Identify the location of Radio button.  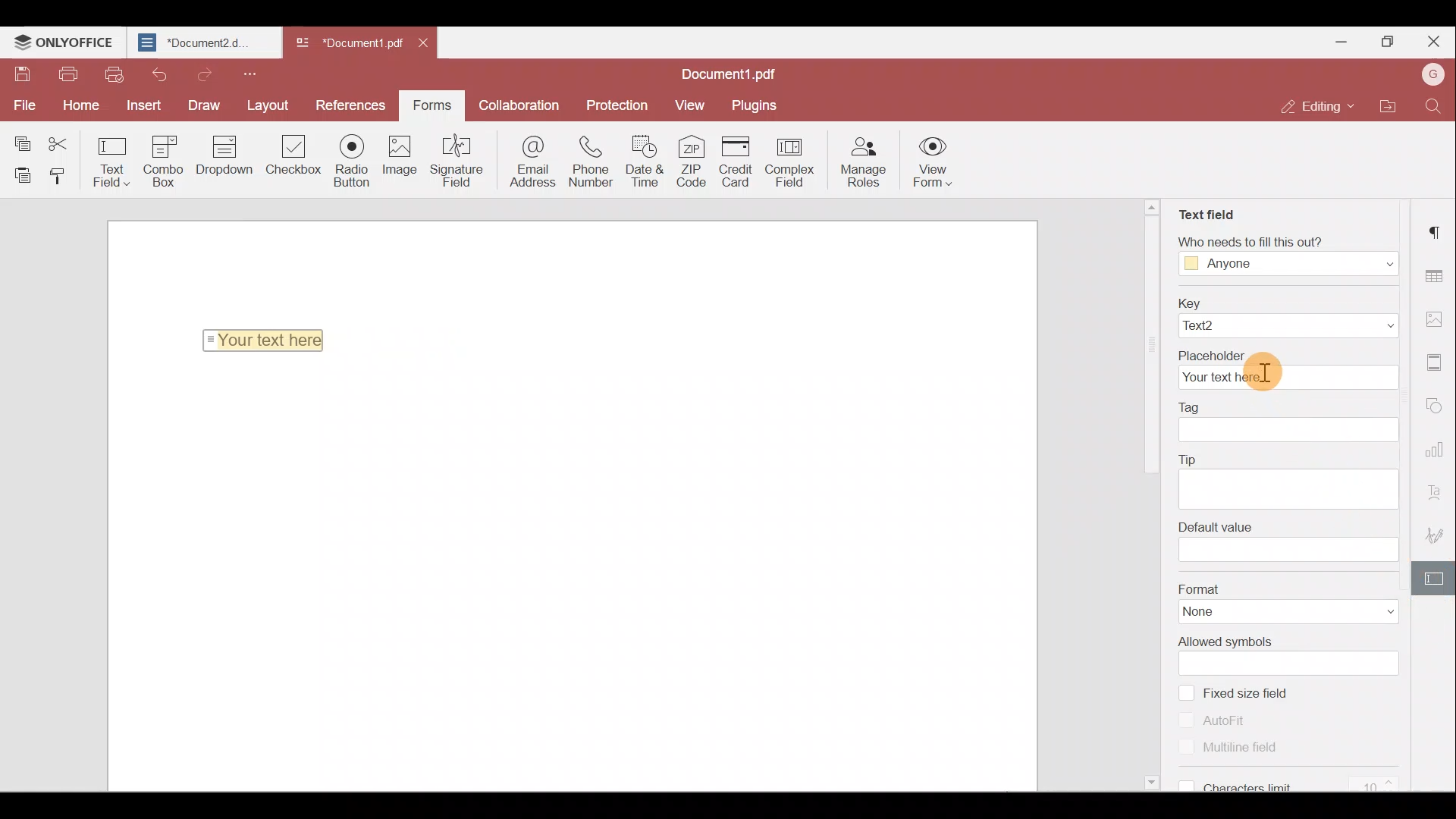
(353, 162).